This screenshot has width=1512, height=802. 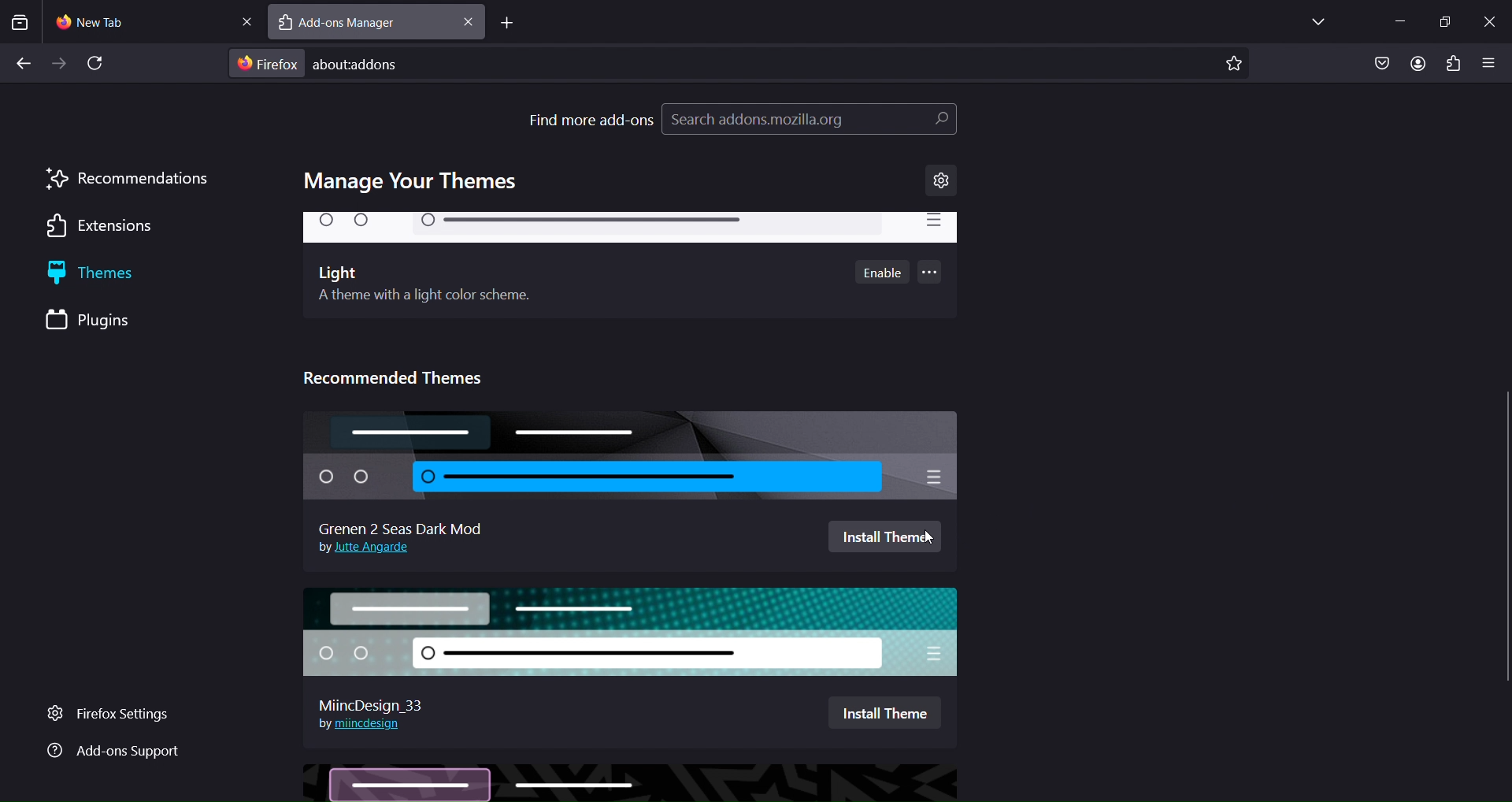 I want to click on new tab, so click(x=506, y=24).